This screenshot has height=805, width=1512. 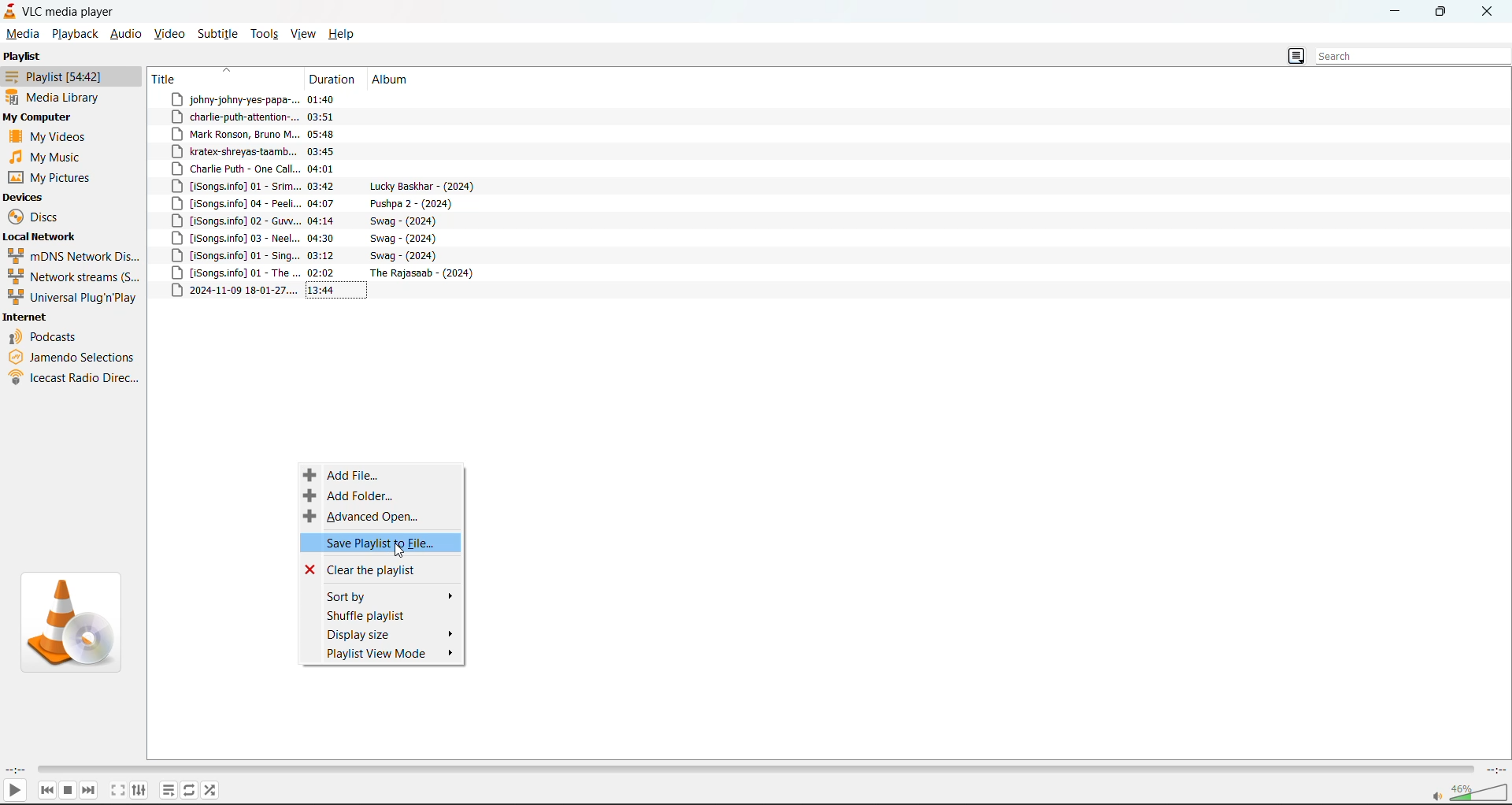 I want to click on track 10 title, duration and album details, so click(x=312, y=258).